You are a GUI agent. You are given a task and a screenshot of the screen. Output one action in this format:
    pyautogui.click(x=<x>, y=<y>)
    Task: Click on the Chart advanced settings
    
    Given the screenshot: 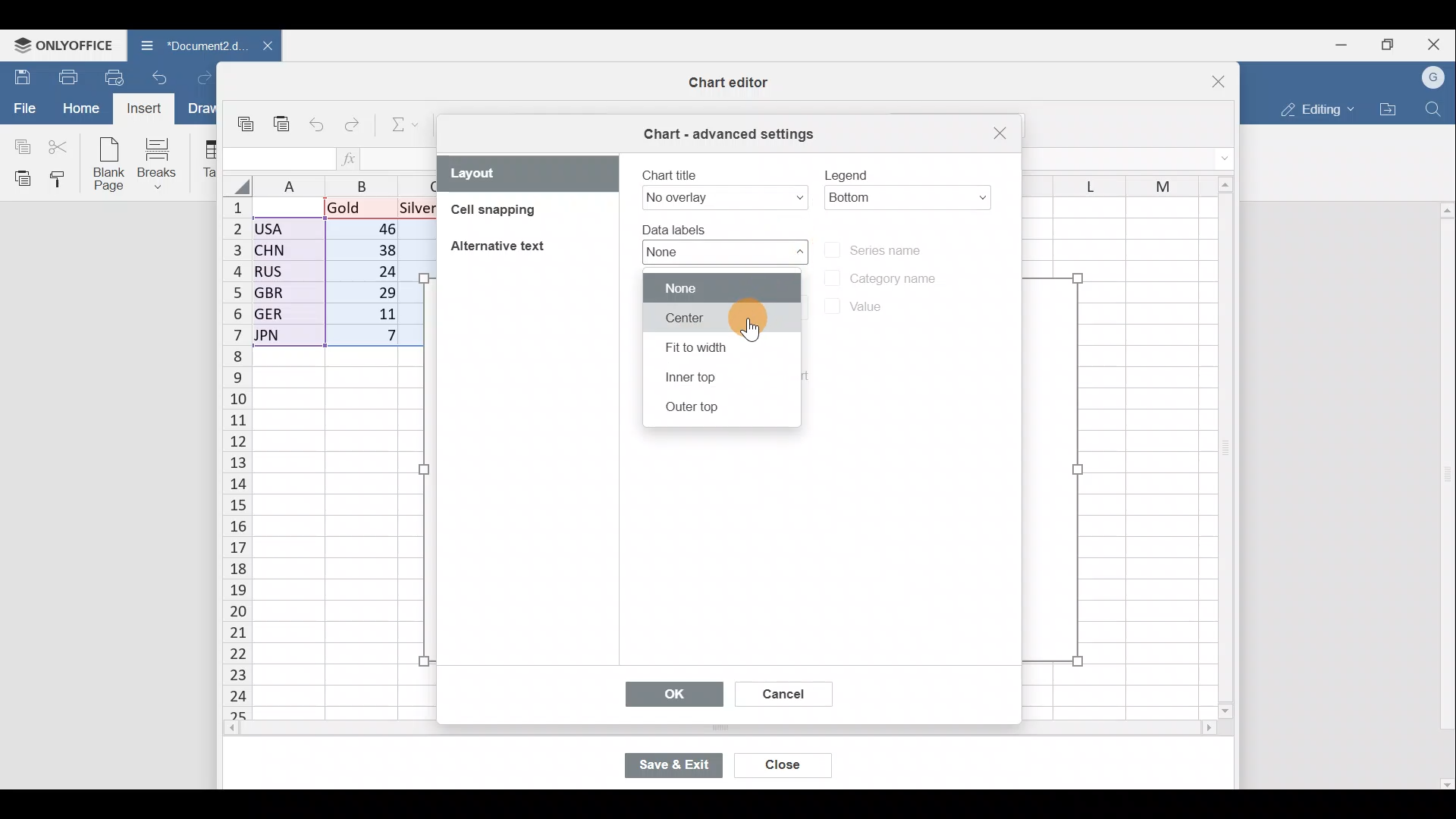 What is the action you would take?
    pyautogui.click(x=731, y=134)
    